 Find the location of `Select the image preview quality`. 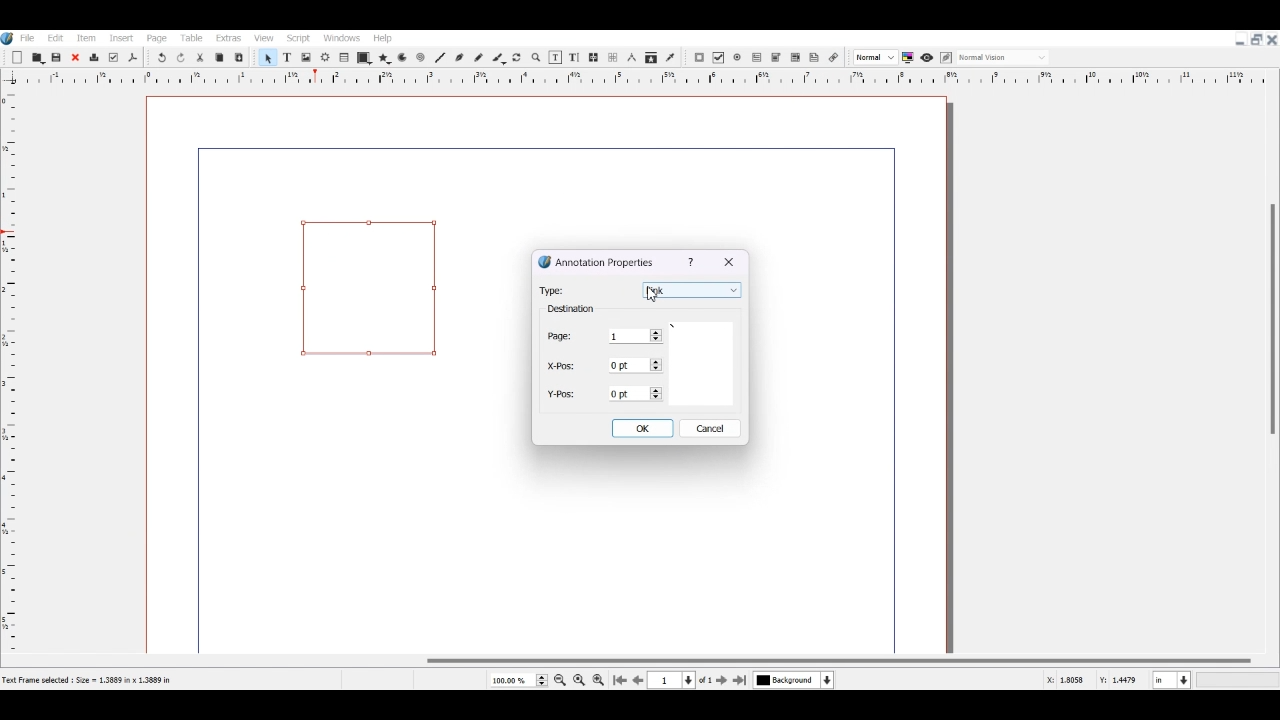

Select the image preview quality is located at coordinates (874, 57).